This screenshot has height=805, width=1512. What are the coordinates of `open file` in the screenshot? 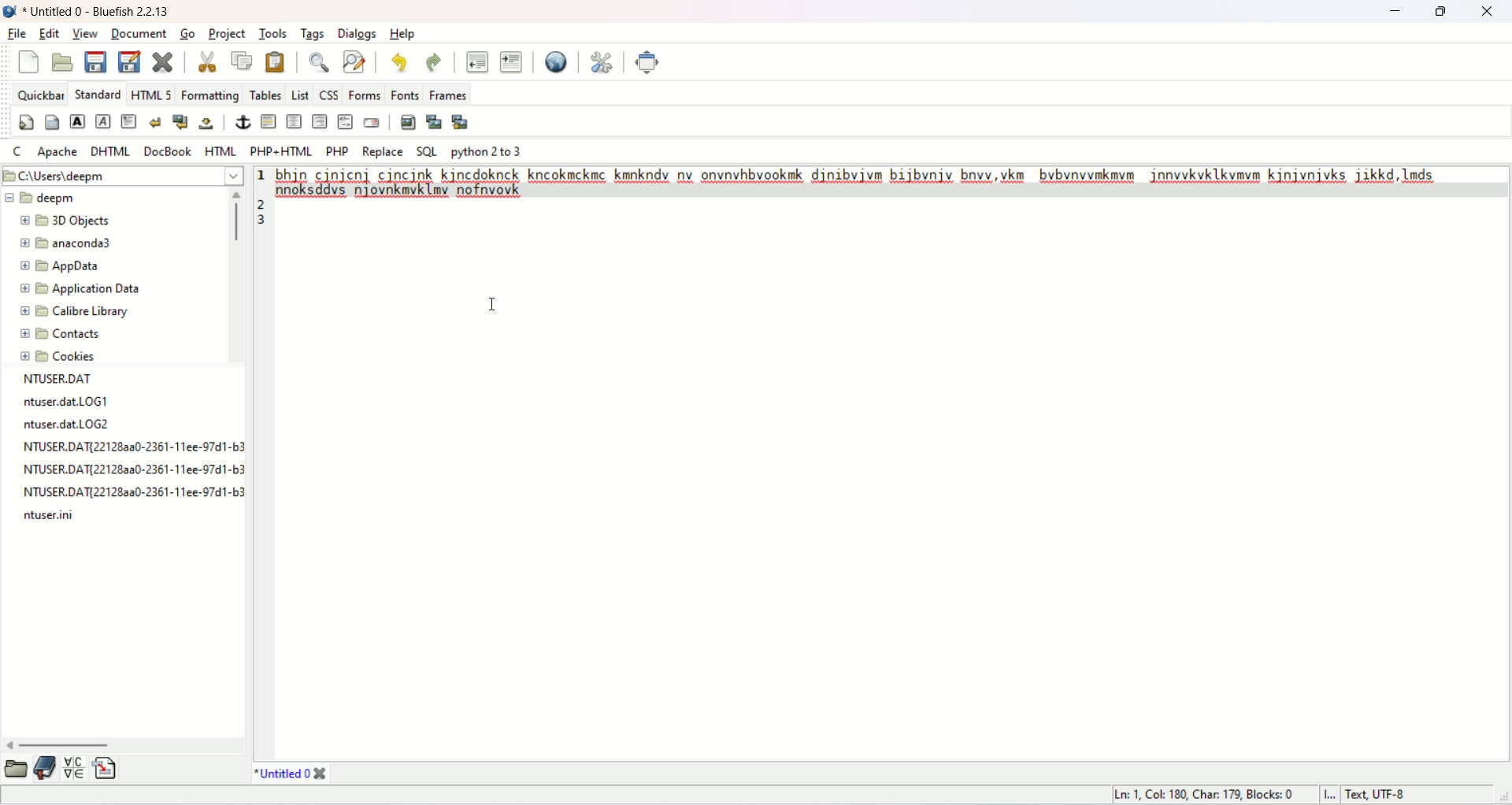 It's located at (64, 62).